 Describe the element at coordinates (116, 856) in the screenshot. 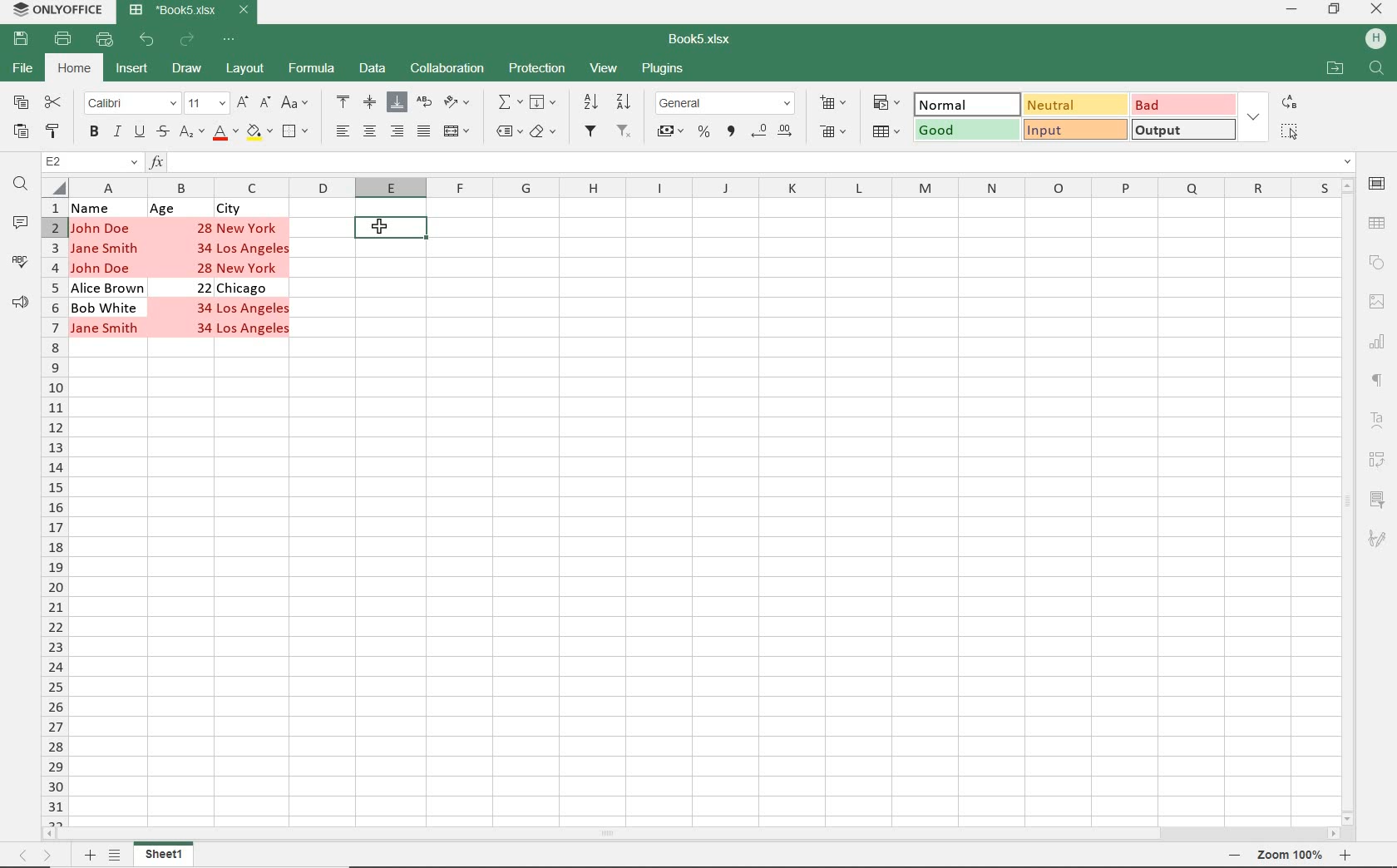

I see `LIST SHEETS` at that location.